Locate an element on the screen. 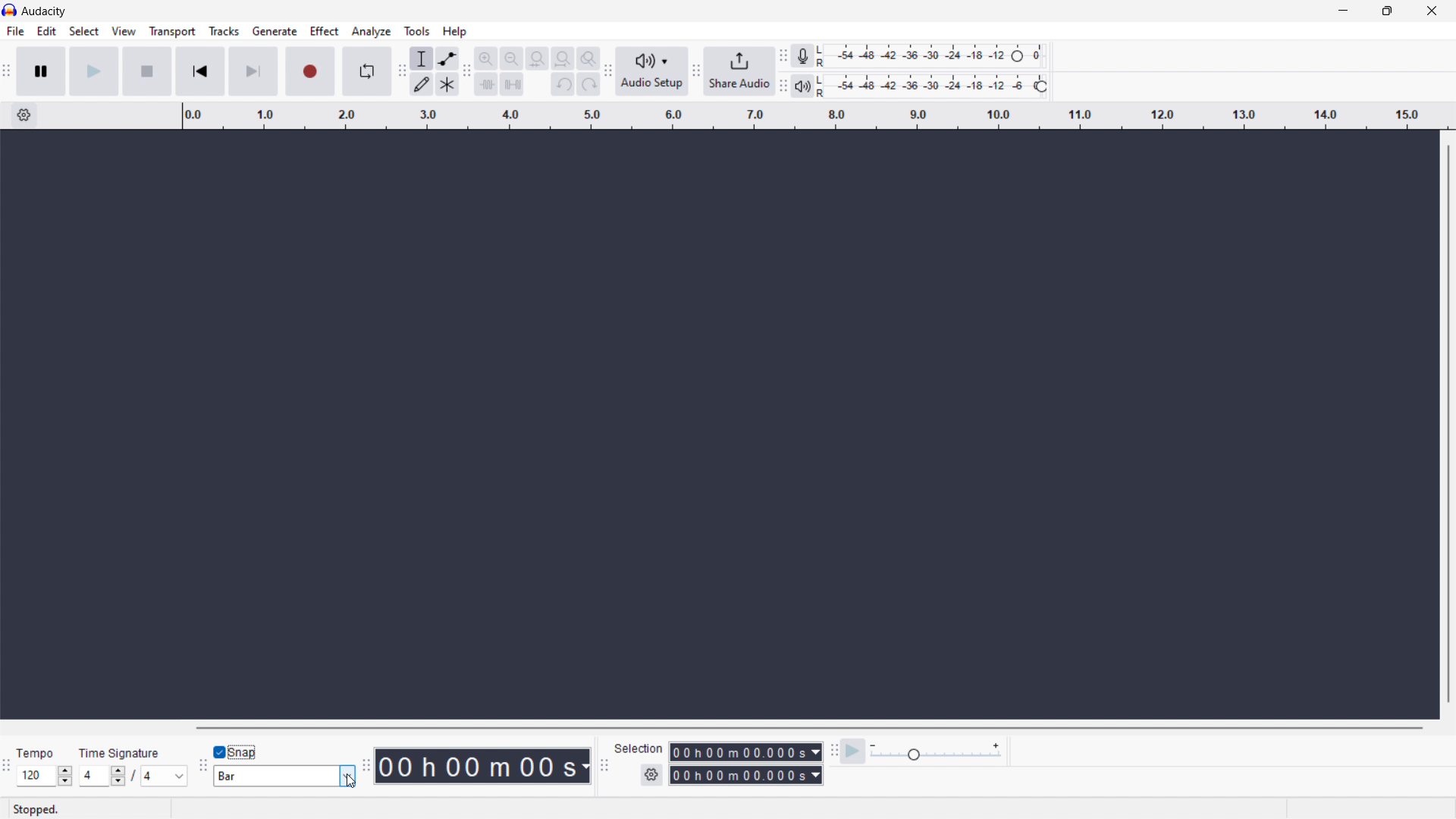 The image size is (1456, 819). envelop tool is located at coordinates (447, 59).